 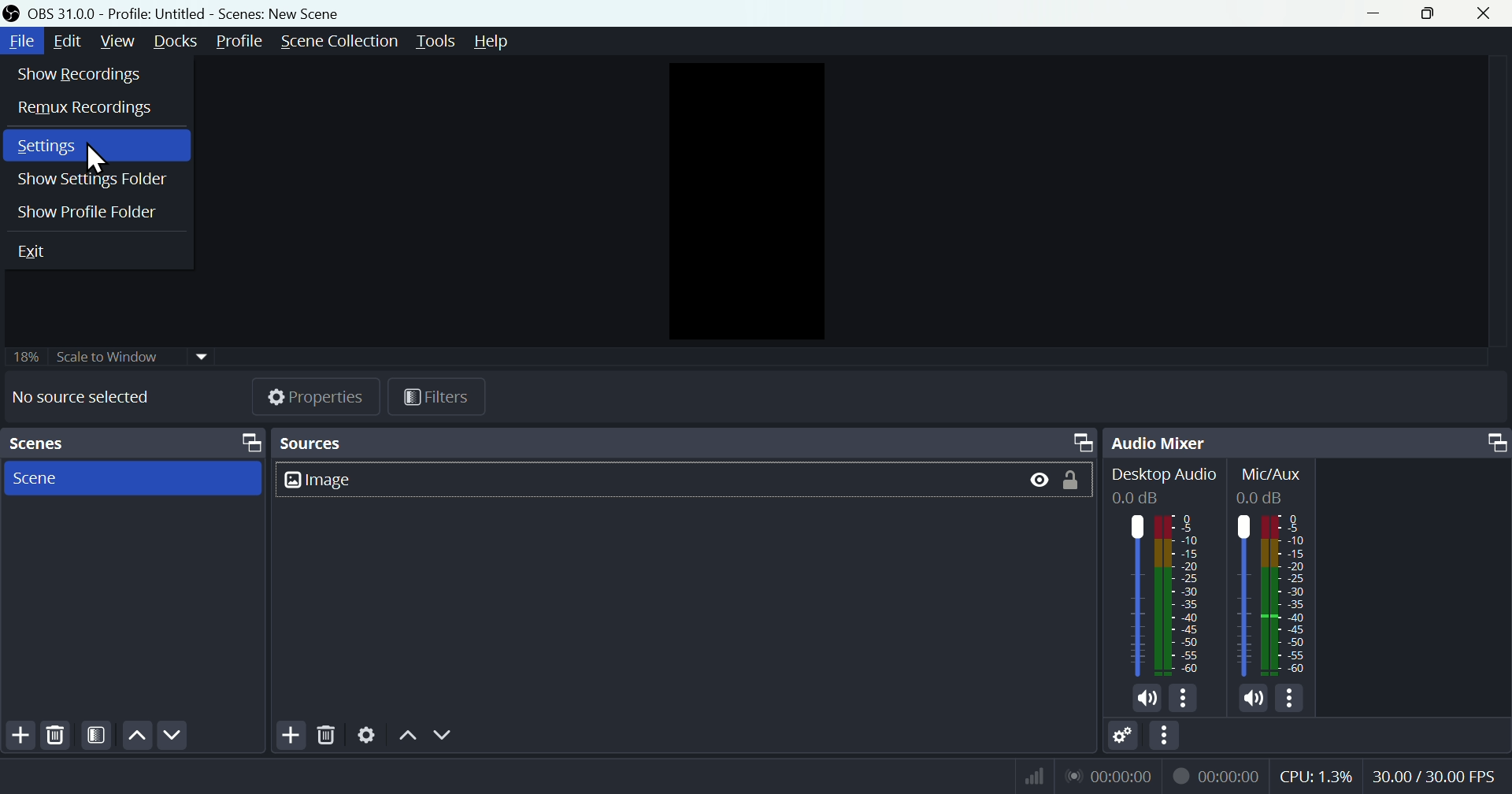 I want to click on Tools, so click(x=439, y=40).